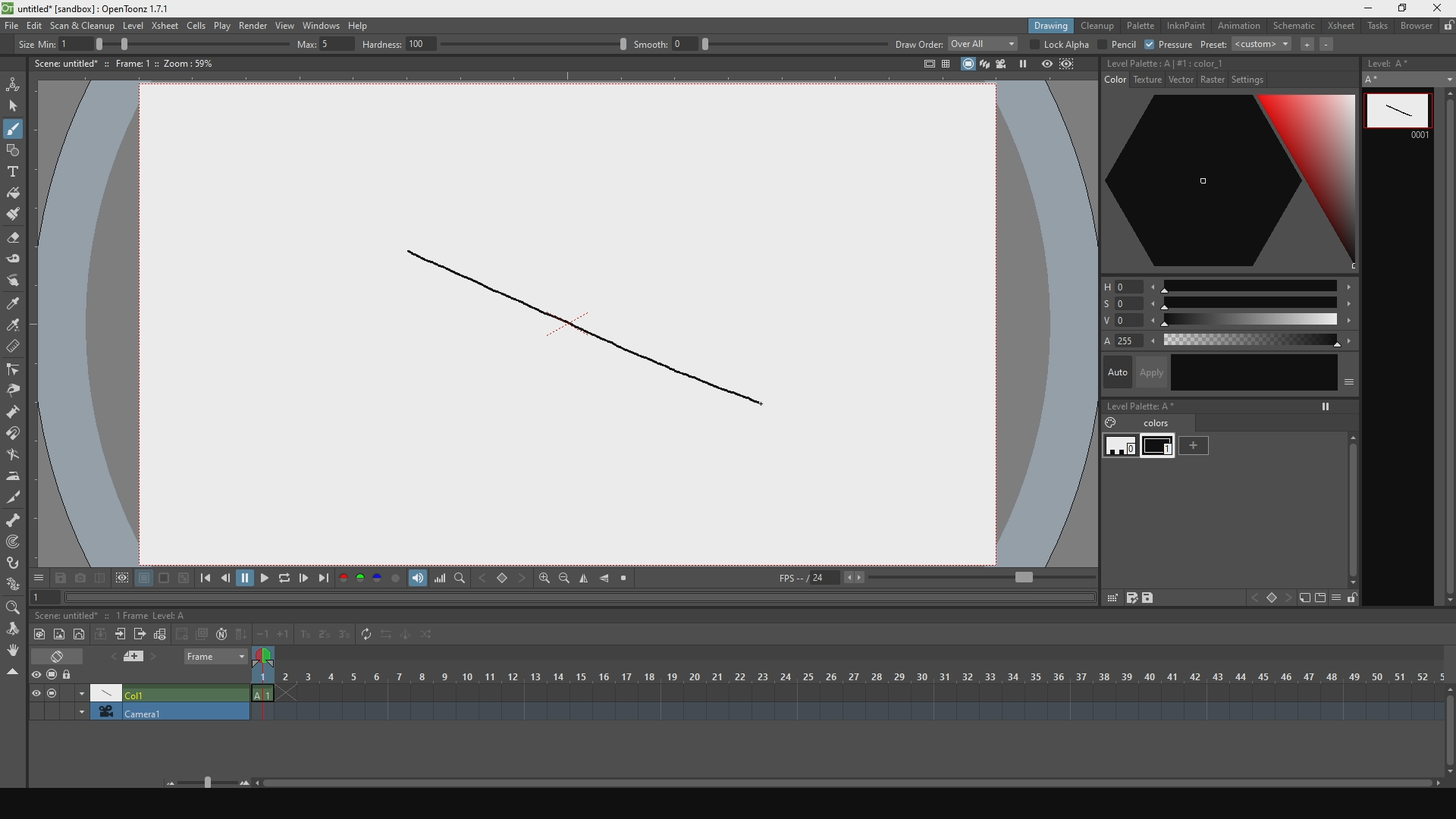 Image resolution: width=1456 pixels, height=819 pixels. I want to click on mapping point, so click(14, 544).